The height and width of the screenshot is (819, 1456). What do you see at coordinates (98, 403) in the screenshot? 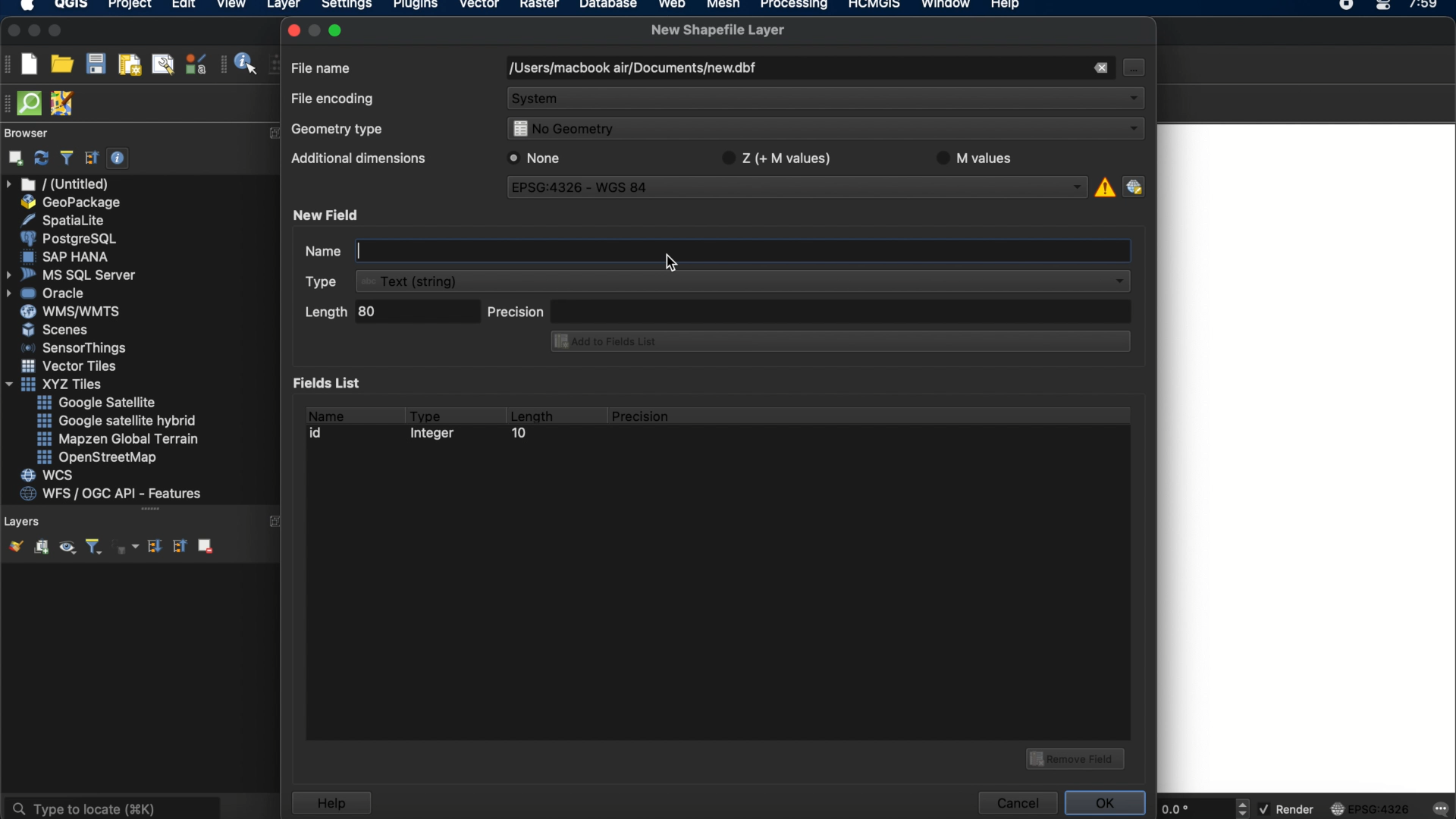
I see `google satellite` at bounding box center [98, 403].